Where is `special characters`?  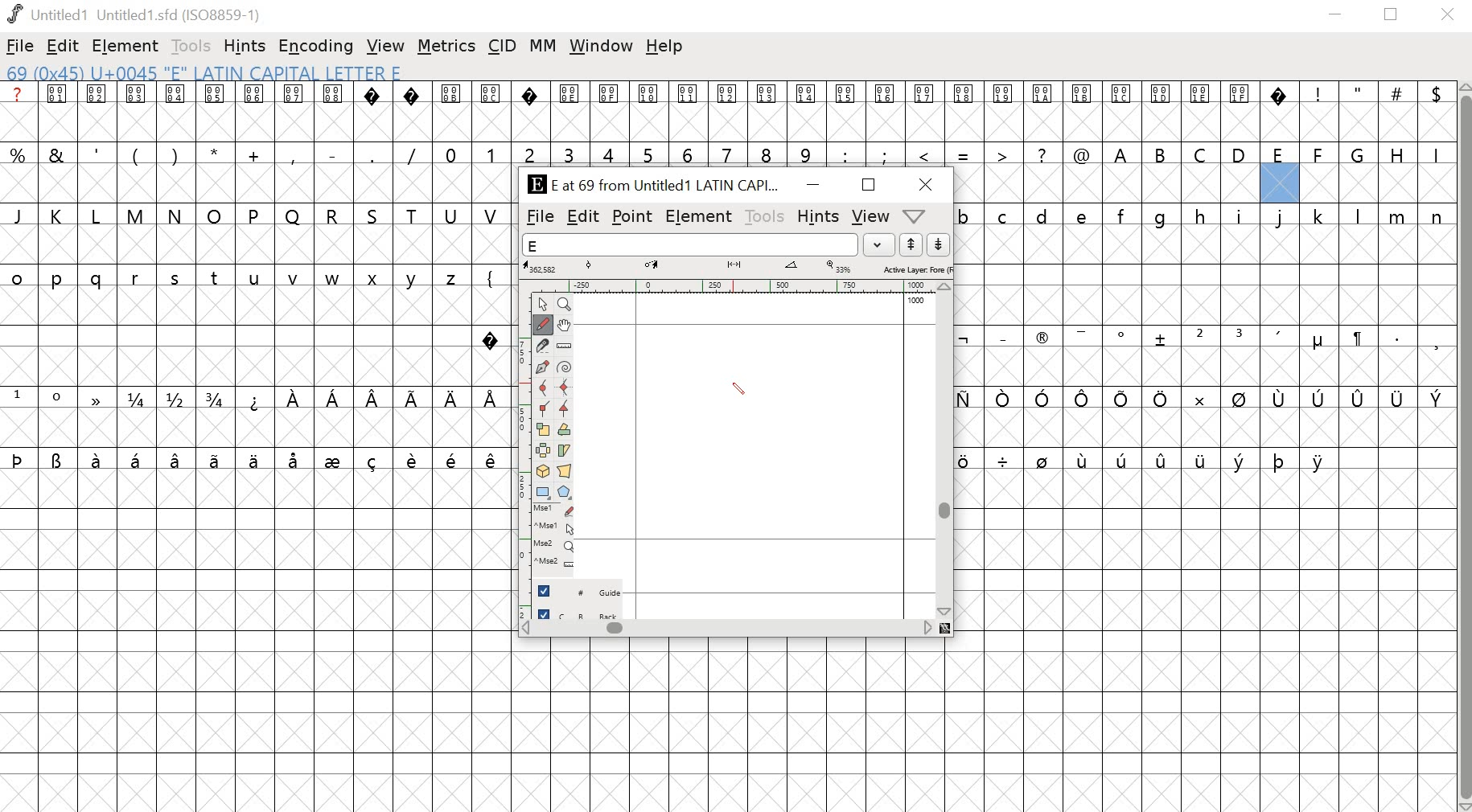
special characters is located at coordinates (252, 399).